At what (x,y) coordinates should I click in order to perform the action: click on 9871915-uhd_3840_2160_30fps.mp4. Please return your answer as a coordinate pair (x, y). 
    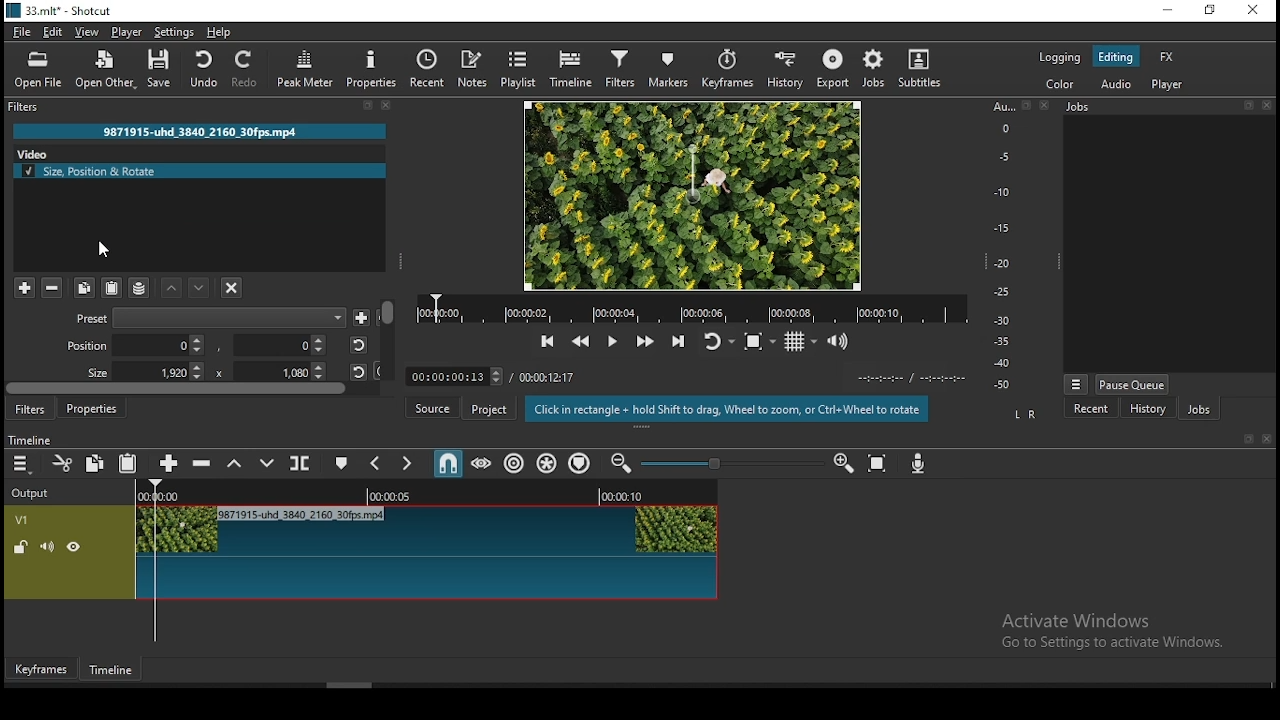
    Looking at the image, I should click on (195, 132).